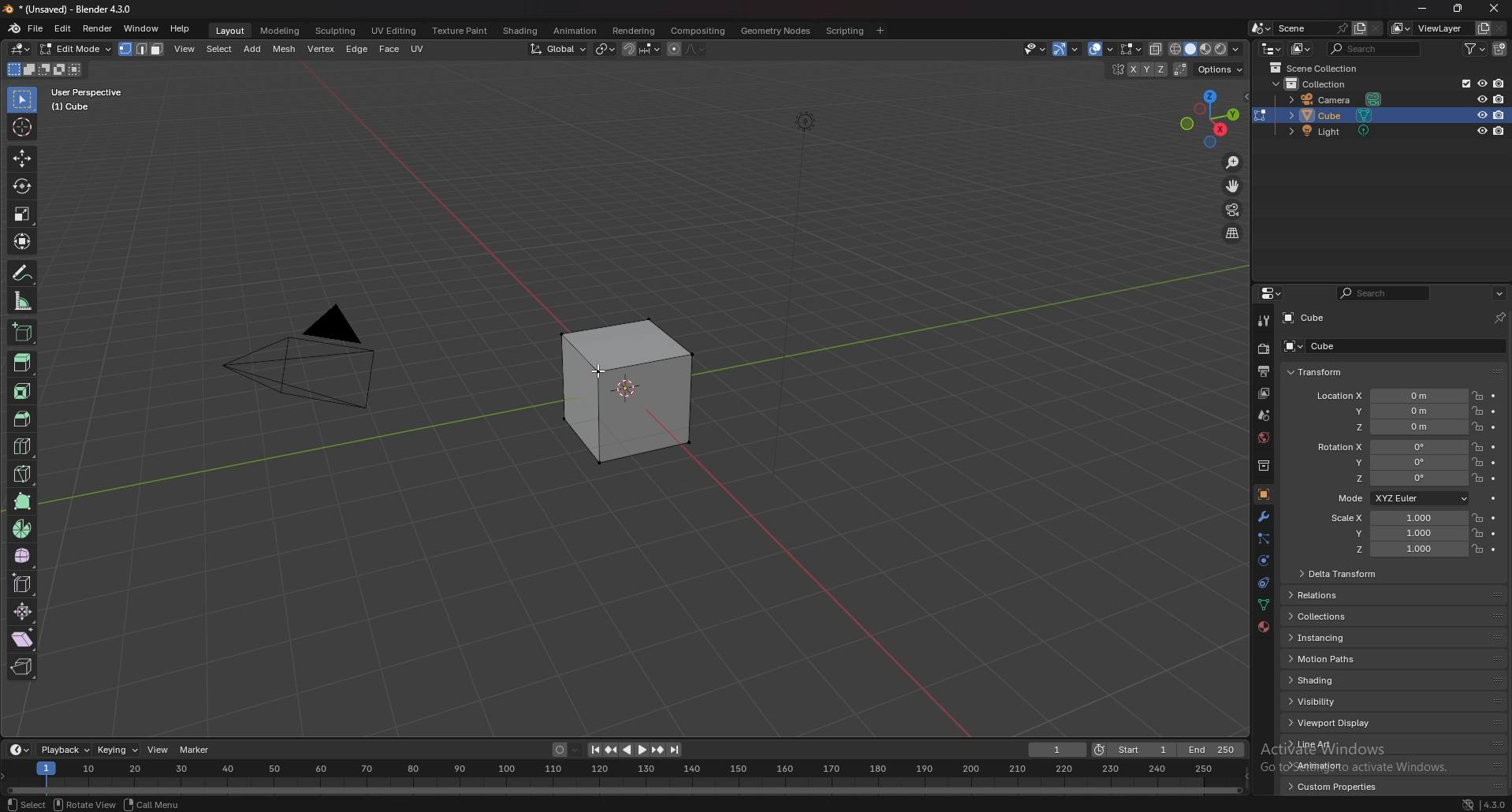  Describe the element at coordinates (1344, 574) in the screenshot. I see `delta transform` at that location.